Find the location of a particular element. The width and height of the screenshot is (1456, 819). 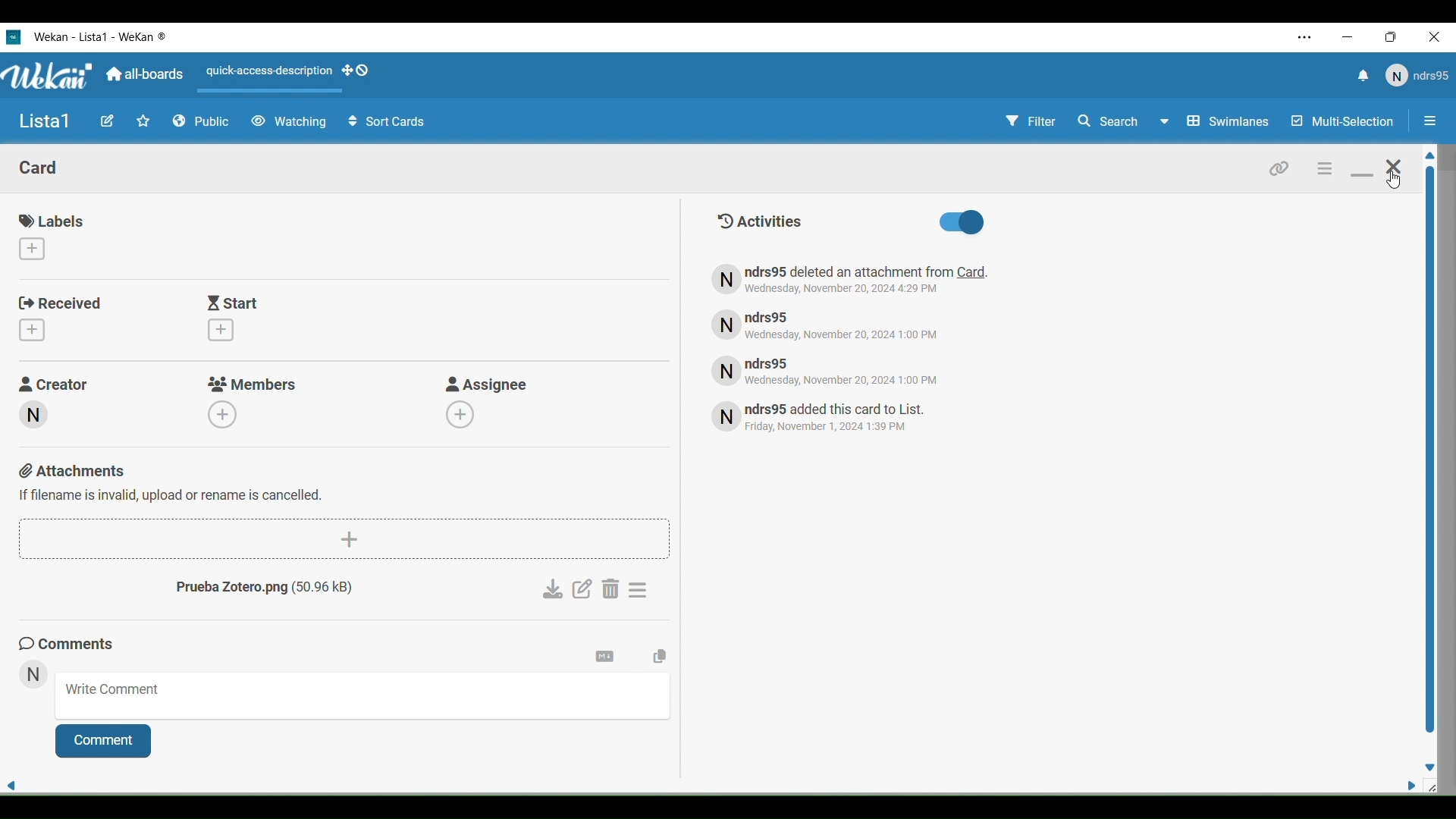

Comment is located at coordinates (104, 741).